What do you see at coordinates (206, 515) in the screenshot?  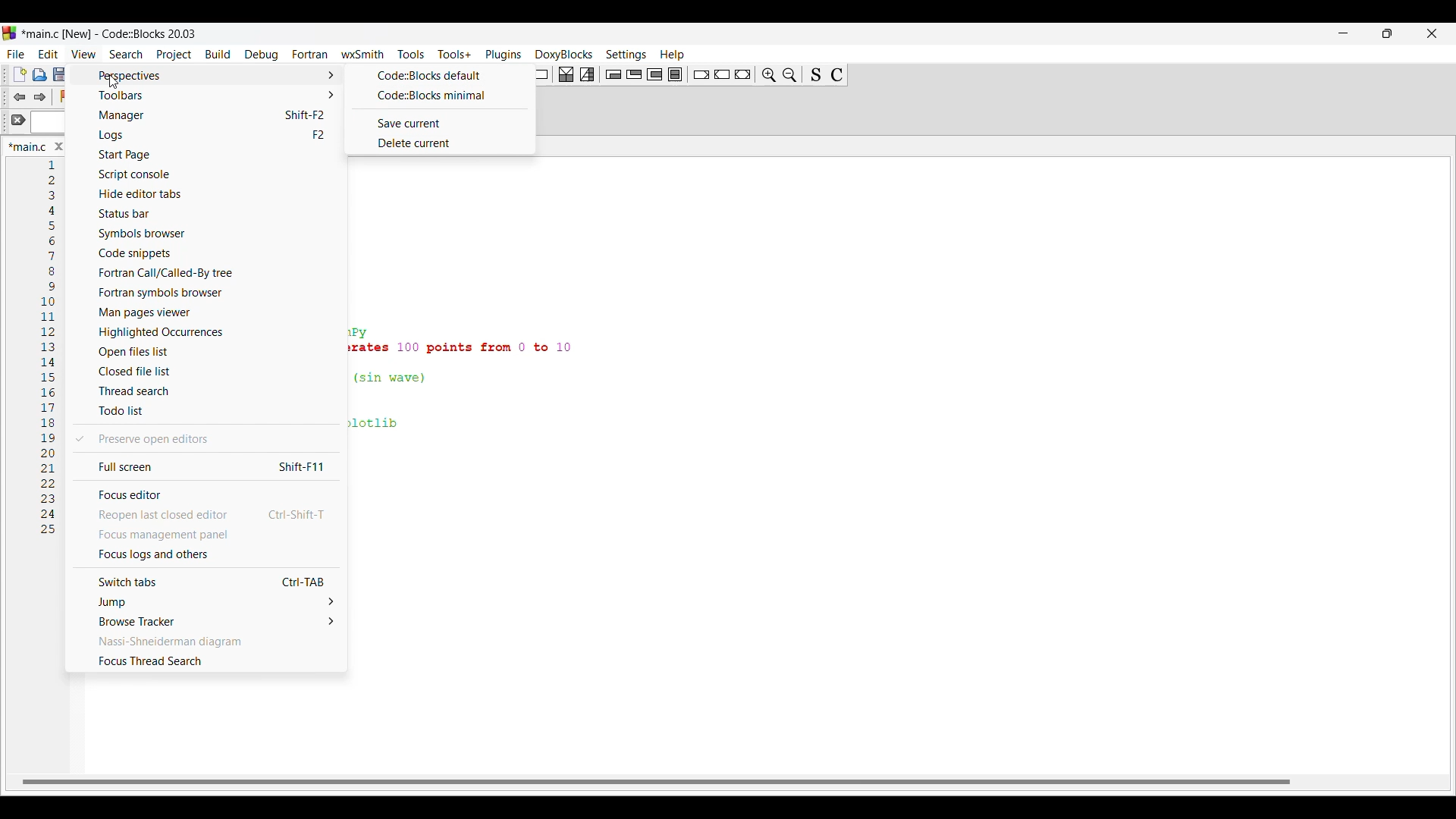 I see `Reopen last closed editor` at bounding box center [206, 515].